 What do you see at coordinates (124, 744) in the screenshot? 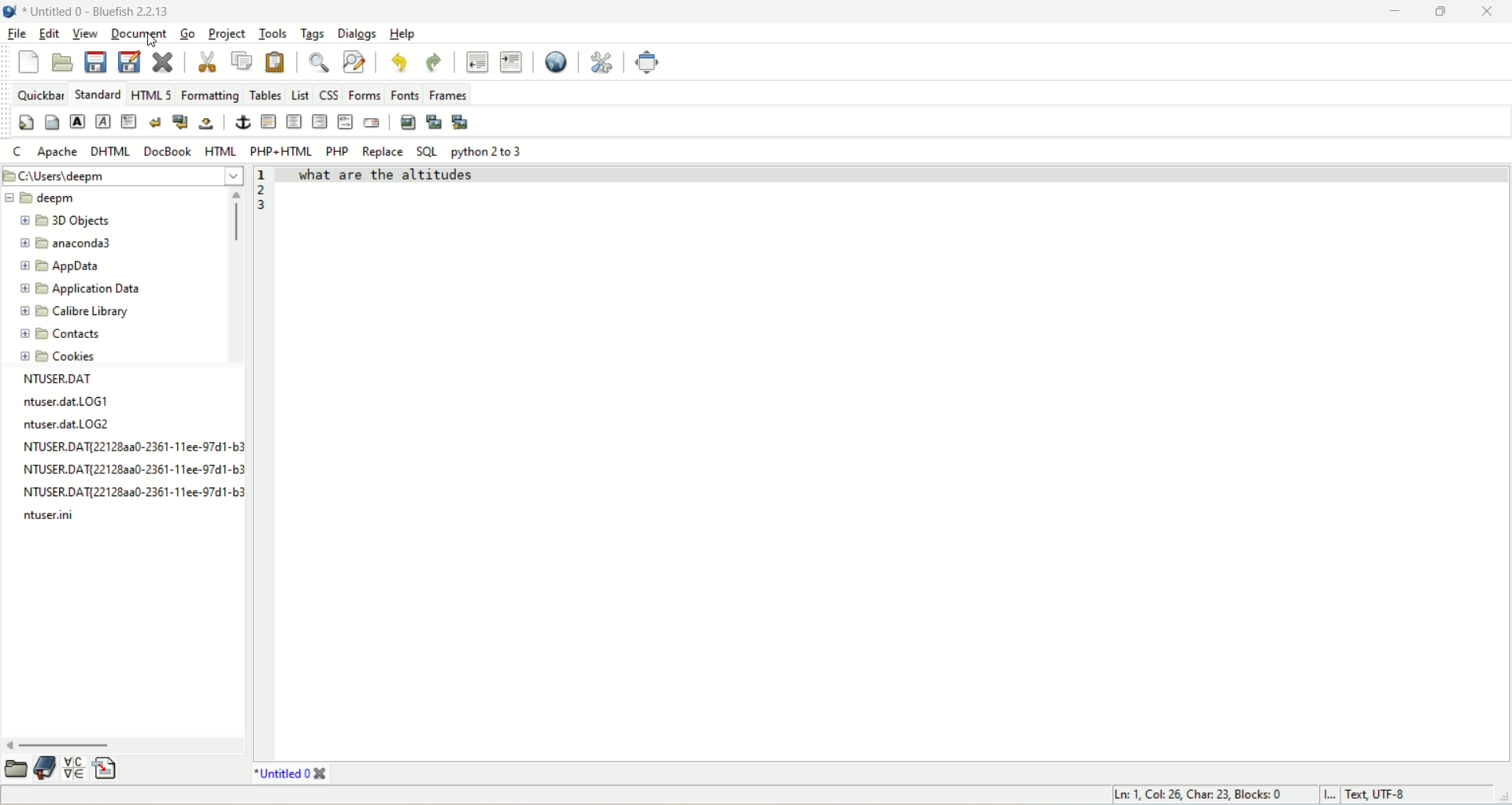
I see `horizontal scroll bar` at bounding box center [124, 744].